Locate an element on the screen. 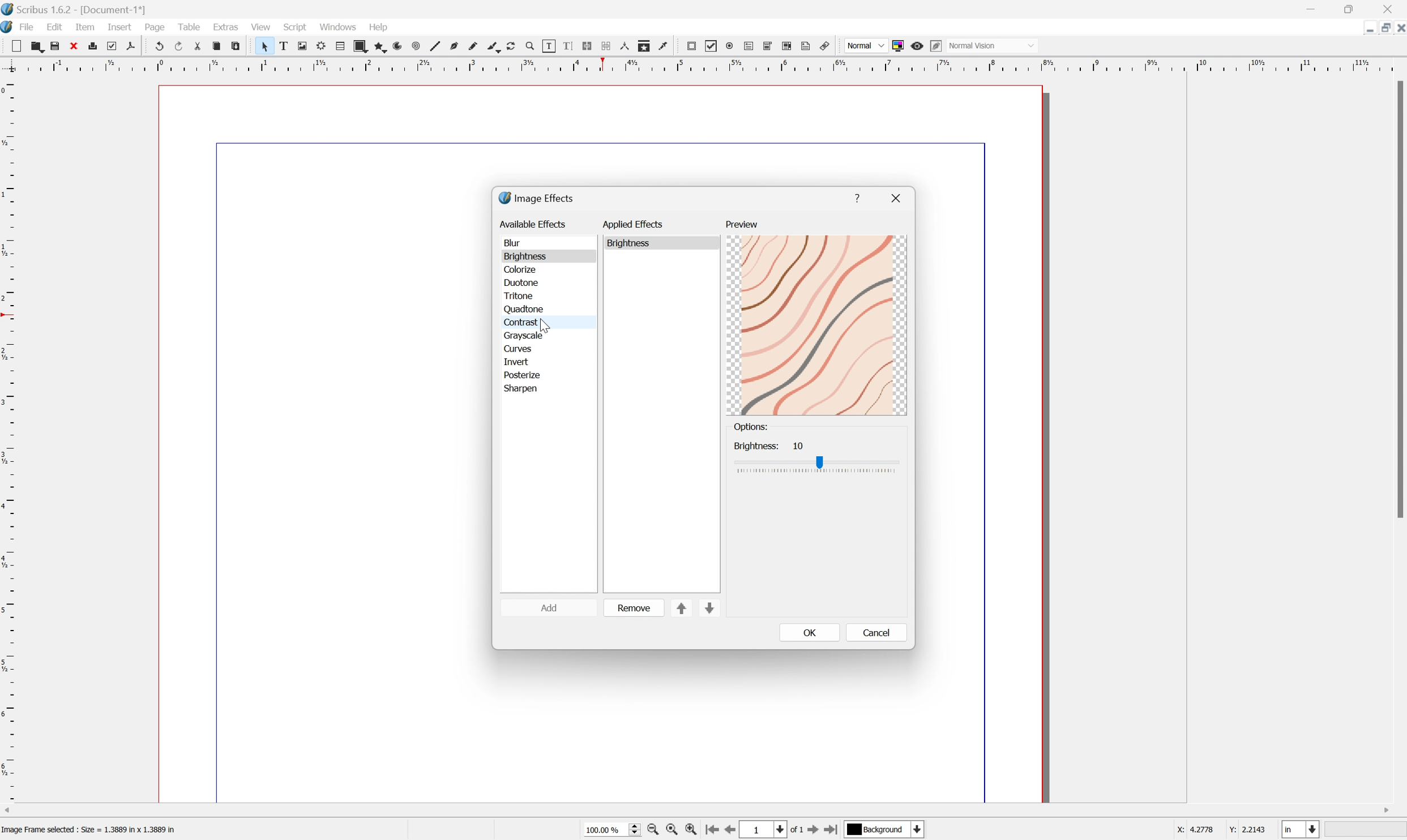 This screenshot has width=1407, height=840. Brightness Slider is located at coordinates (816, 466).